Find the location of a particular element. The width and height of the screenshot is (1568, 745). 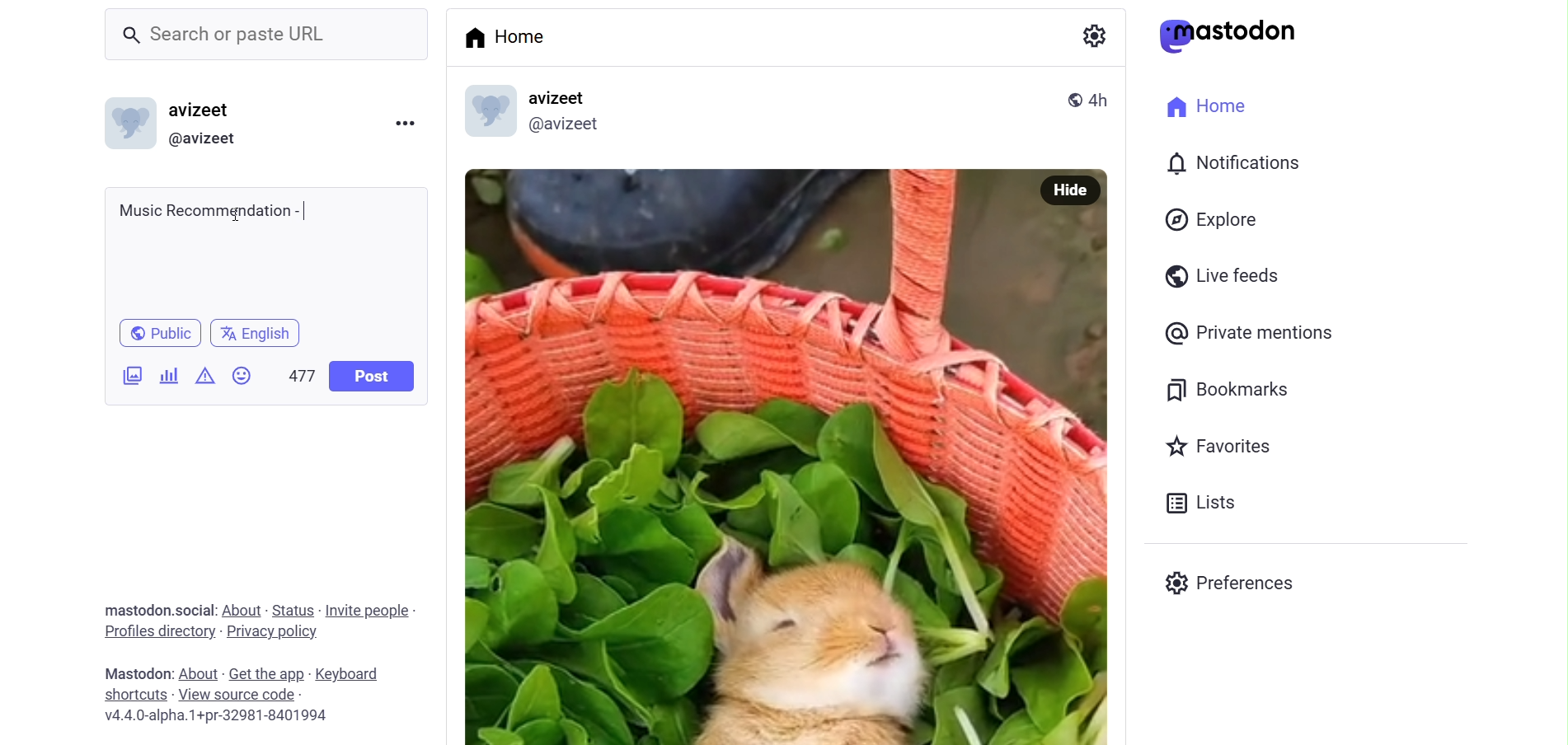

Public is located at coordinates (160, 332).